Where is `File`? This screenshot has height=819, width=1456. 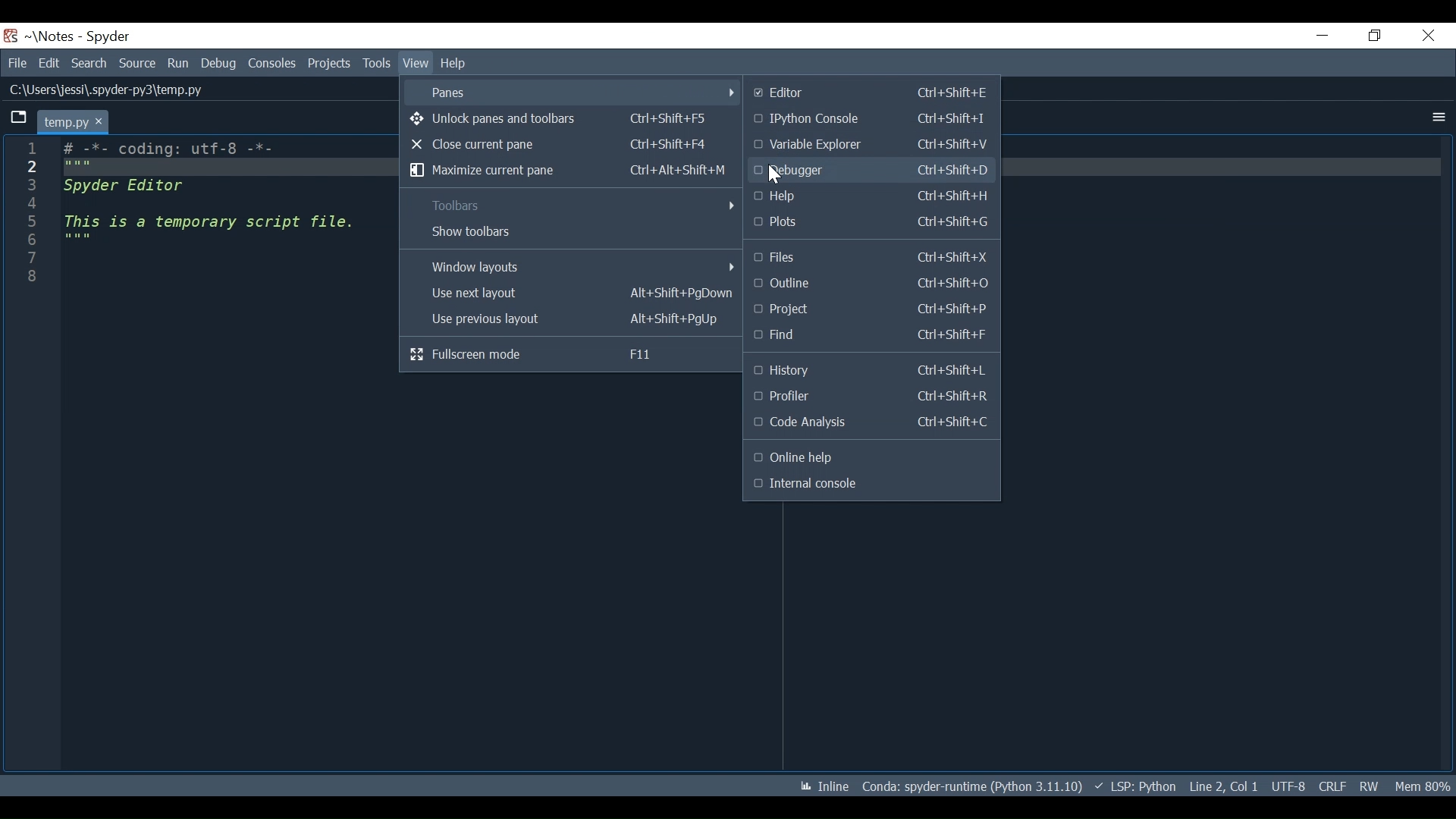 File is located at coordinates (17, 63).